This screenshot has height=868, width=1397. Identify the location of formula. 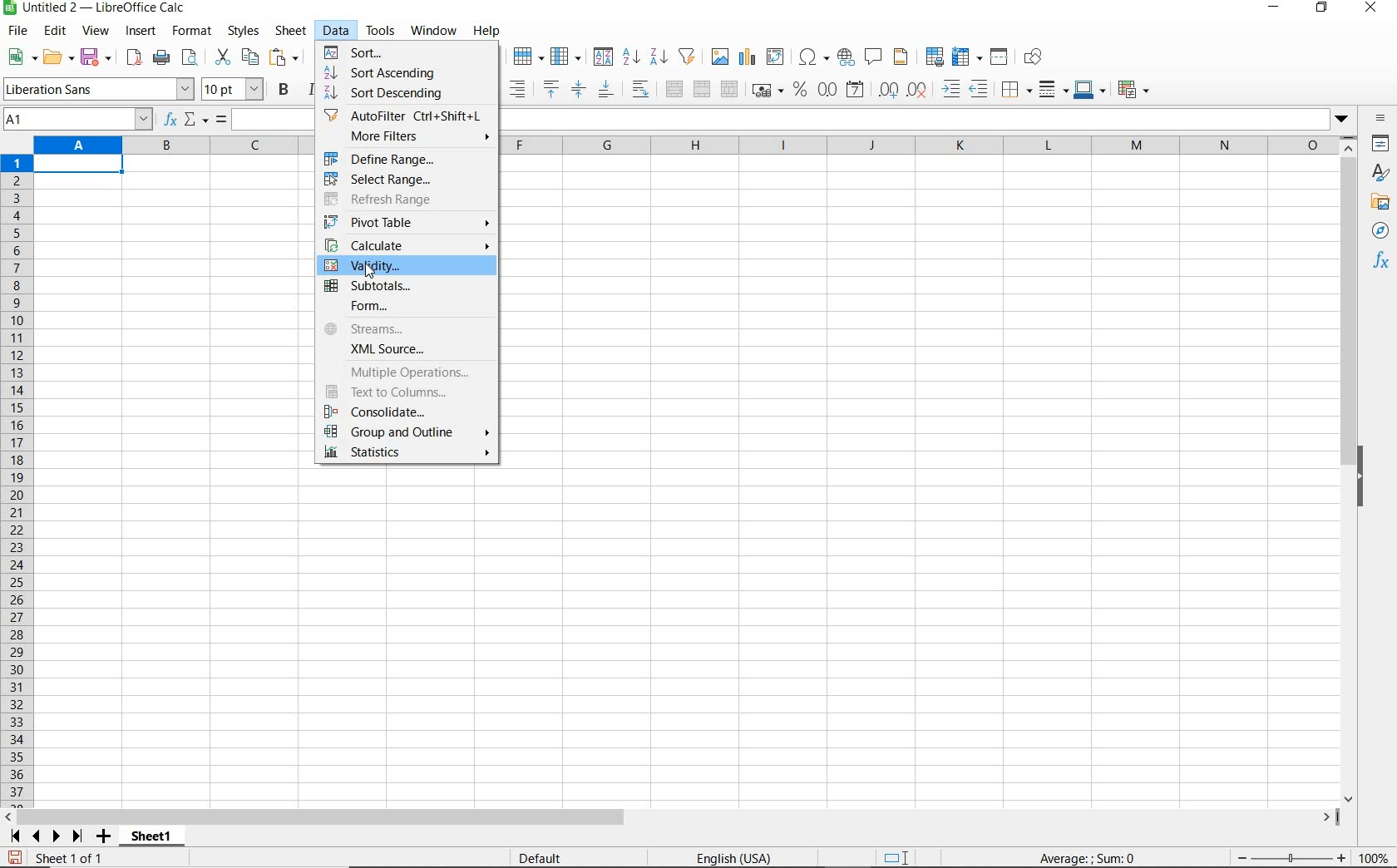
(1088, 857).